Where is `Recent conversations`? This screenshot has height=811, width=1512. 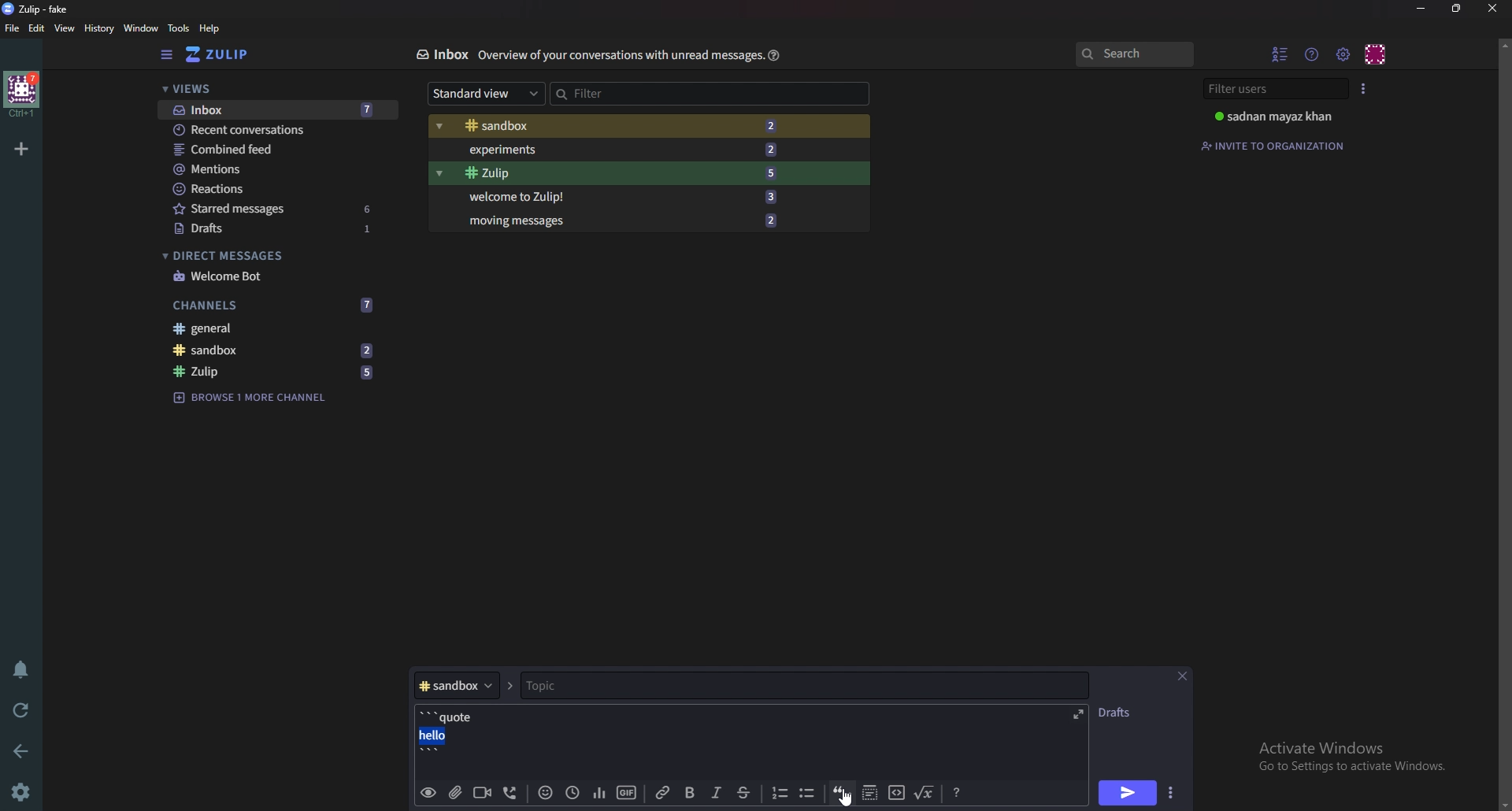 Recent conversations is located at coordinates (257, 131).